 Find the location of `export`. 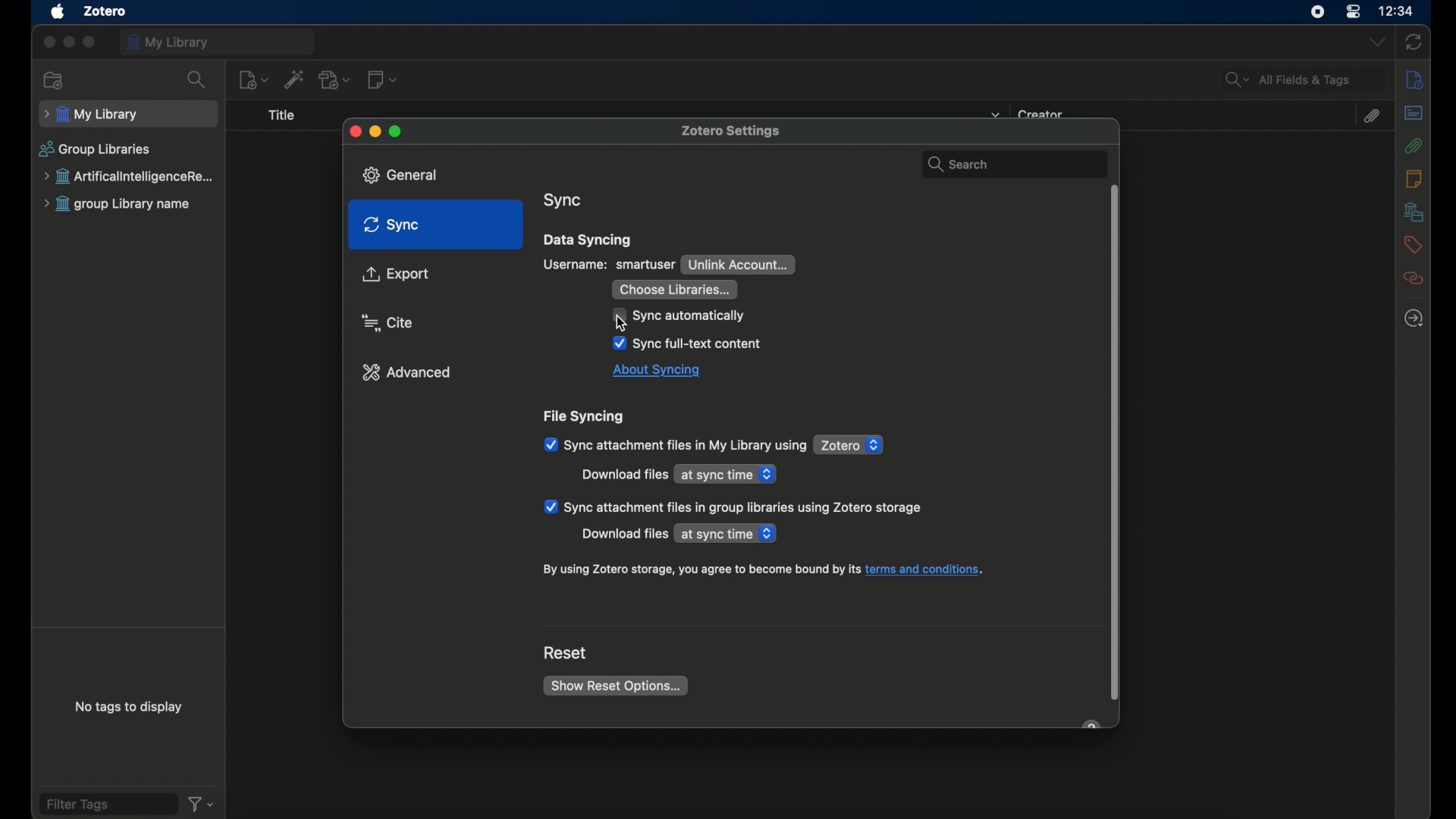

export is located at coordinates (396, 275).